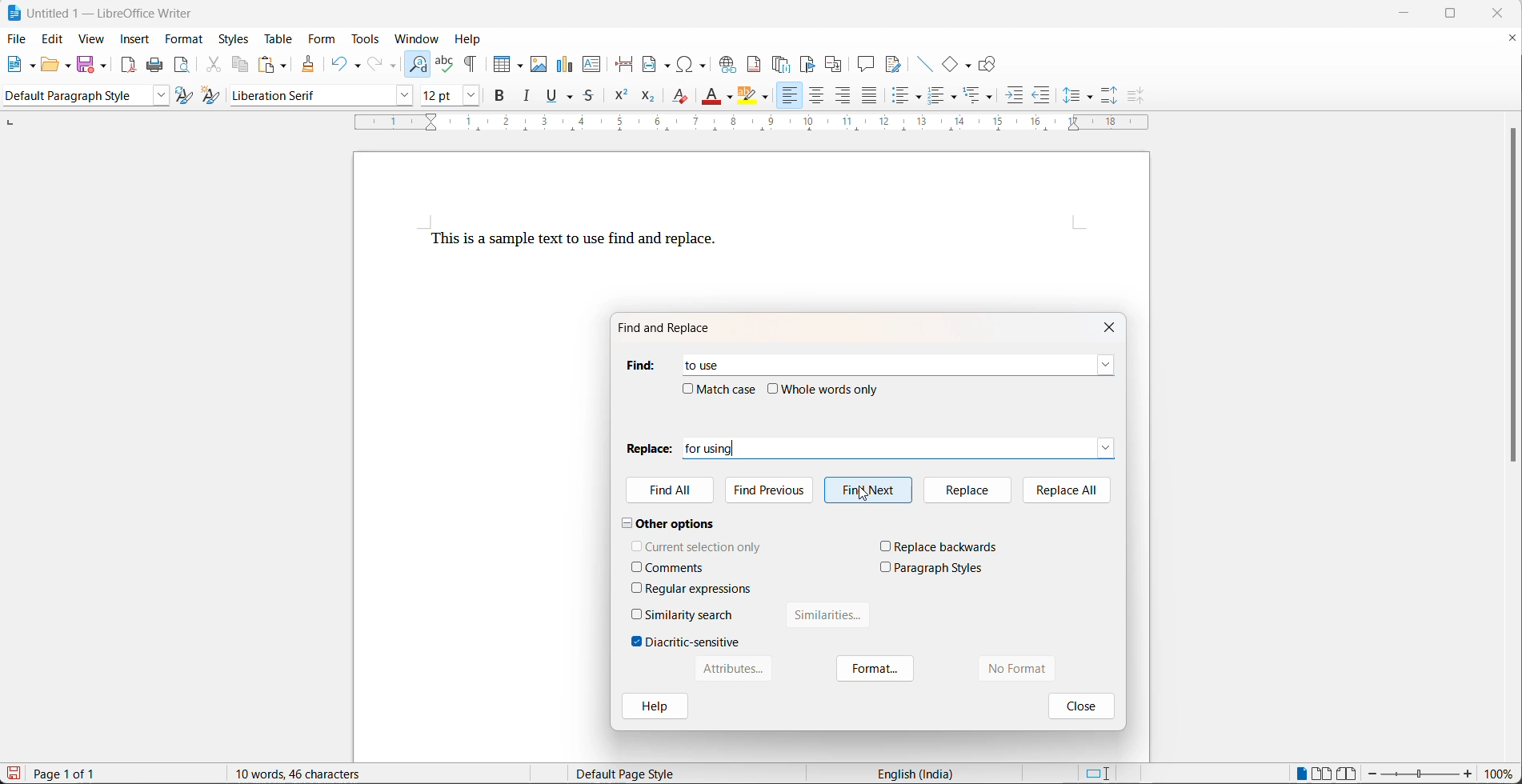 Image resolution: width=1522 pixels, height=784 pixels. What do you see at coordinates (649, 447) in the screenshot?
I see `replace heading` at bounding box center [649, 447].